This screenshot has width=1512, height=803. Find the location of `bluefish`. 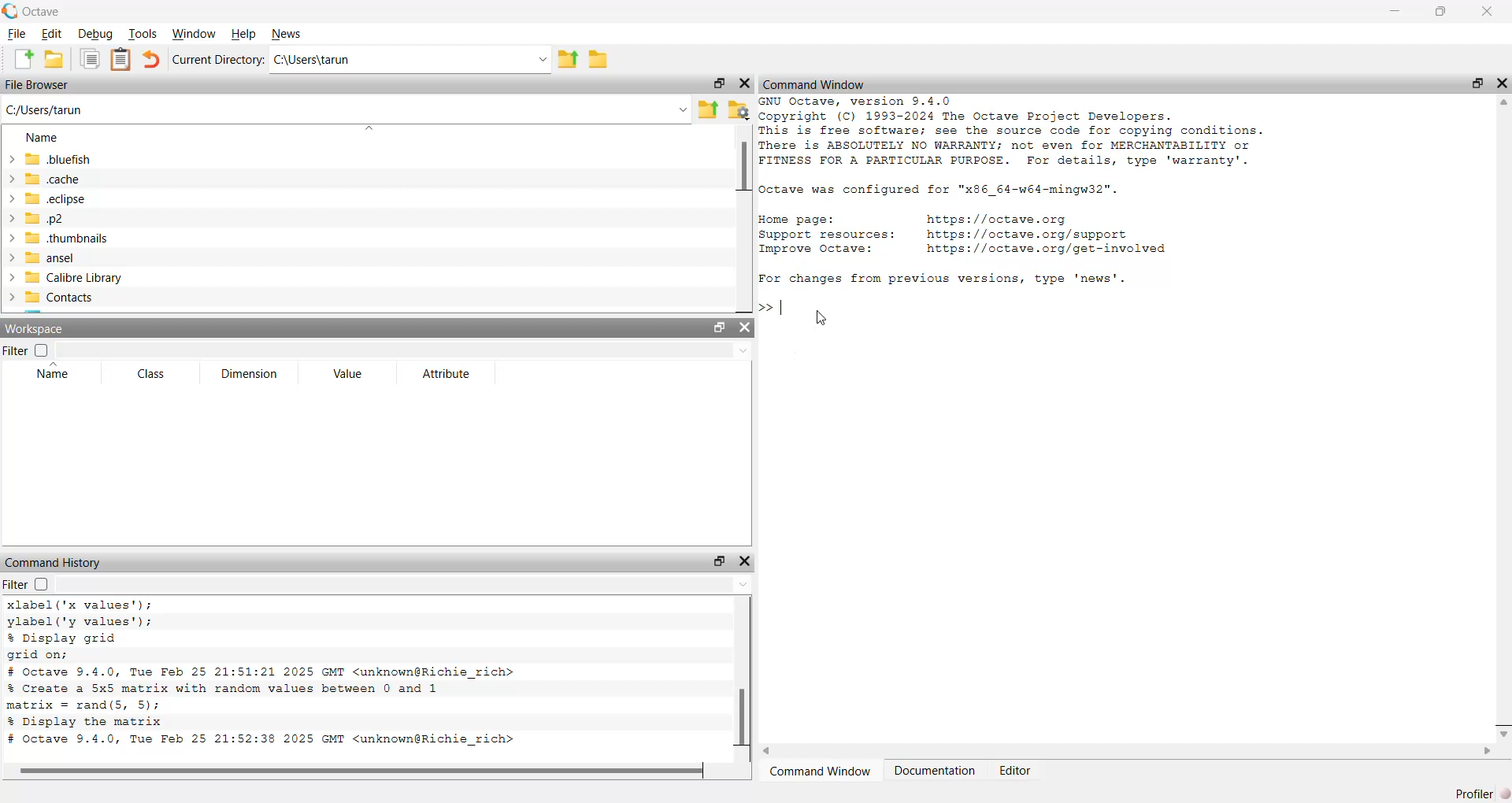

bluefish is located at coordinates (52, 159).